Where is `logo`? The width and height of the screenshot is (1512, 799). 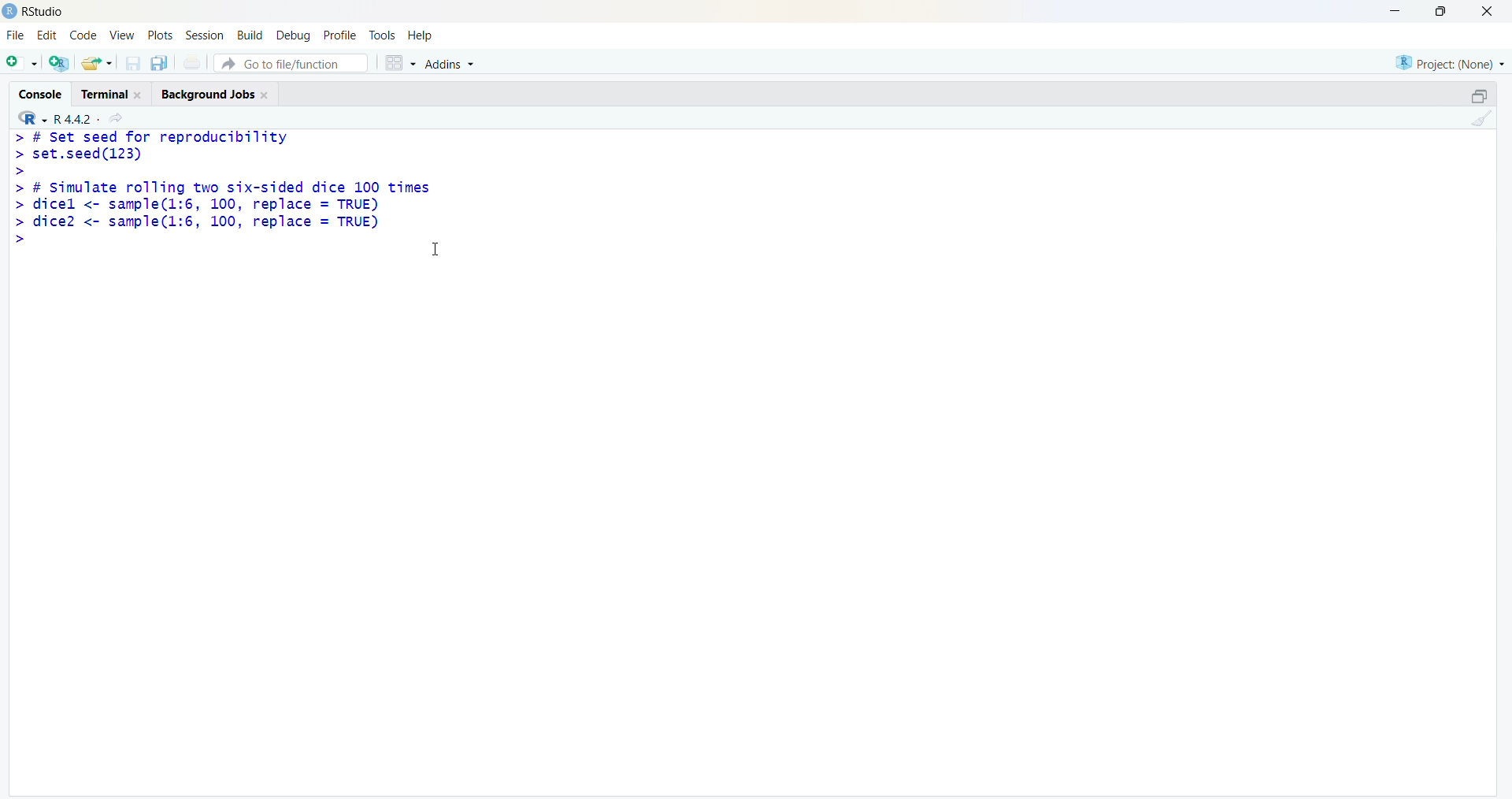
logo is located at coordinates (9, 11).